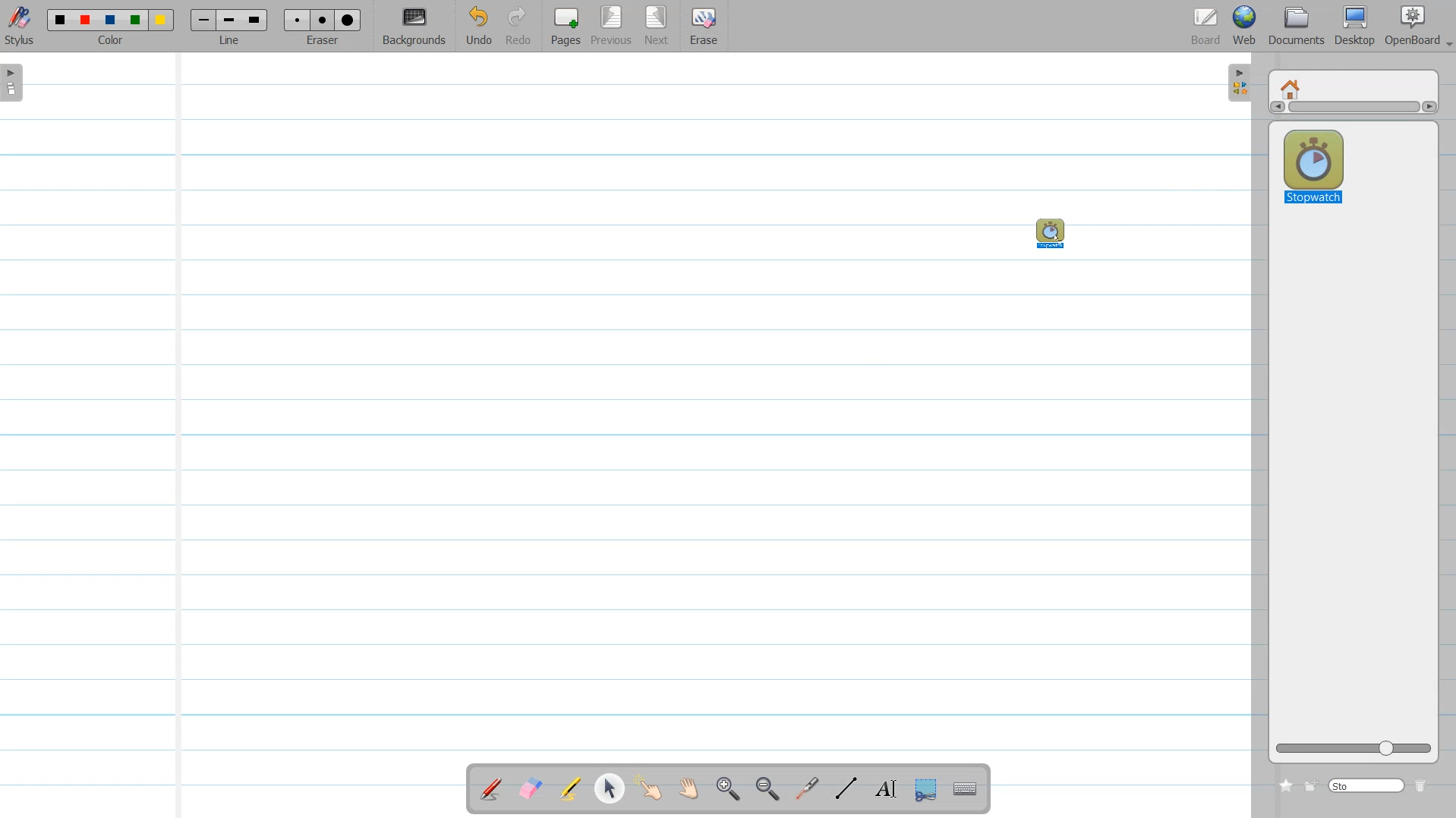  I want to click on Previous, so click(614, 27).